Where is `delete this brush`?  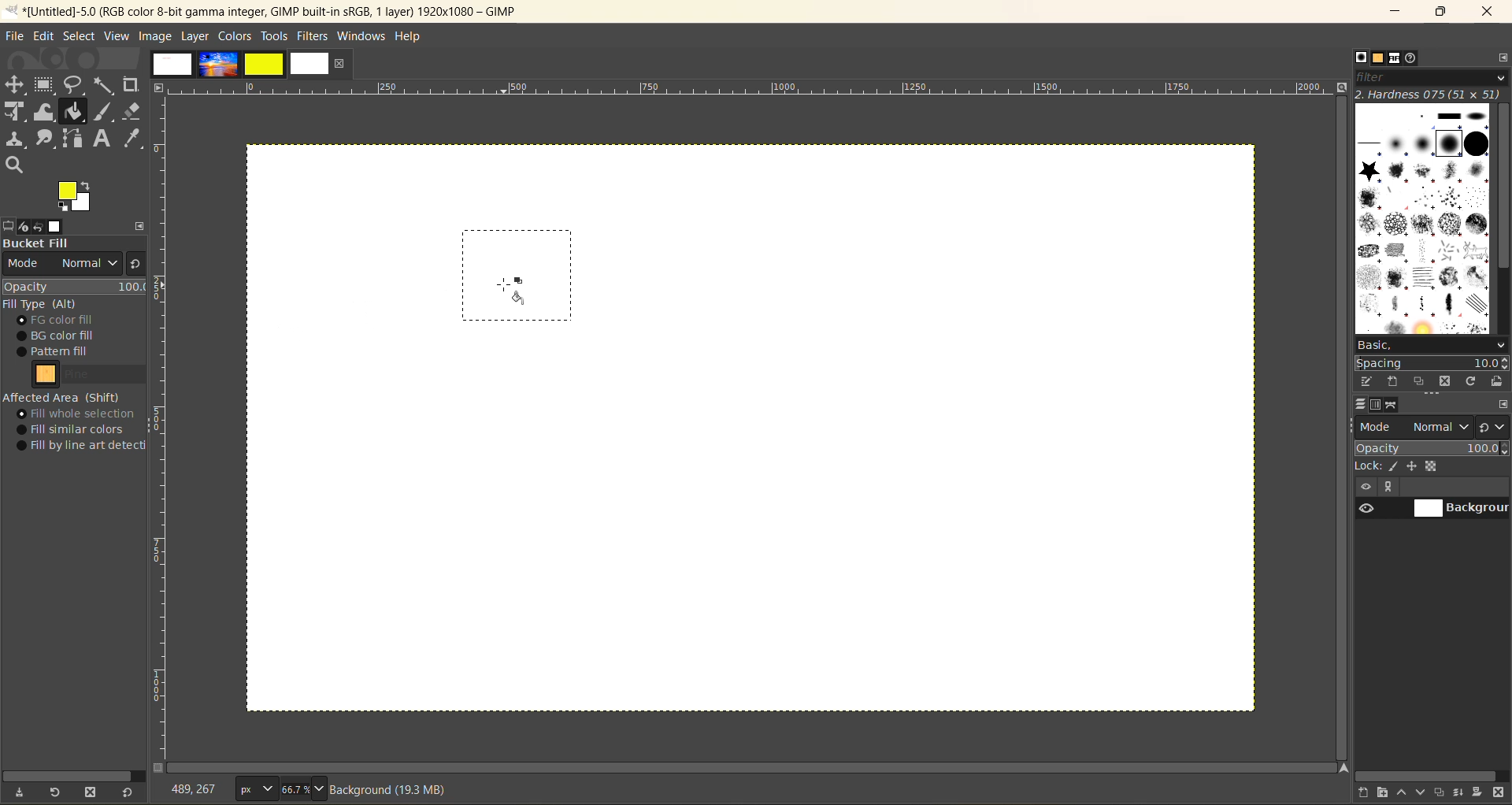 delete this brush is located at coordinates (1445, 381).